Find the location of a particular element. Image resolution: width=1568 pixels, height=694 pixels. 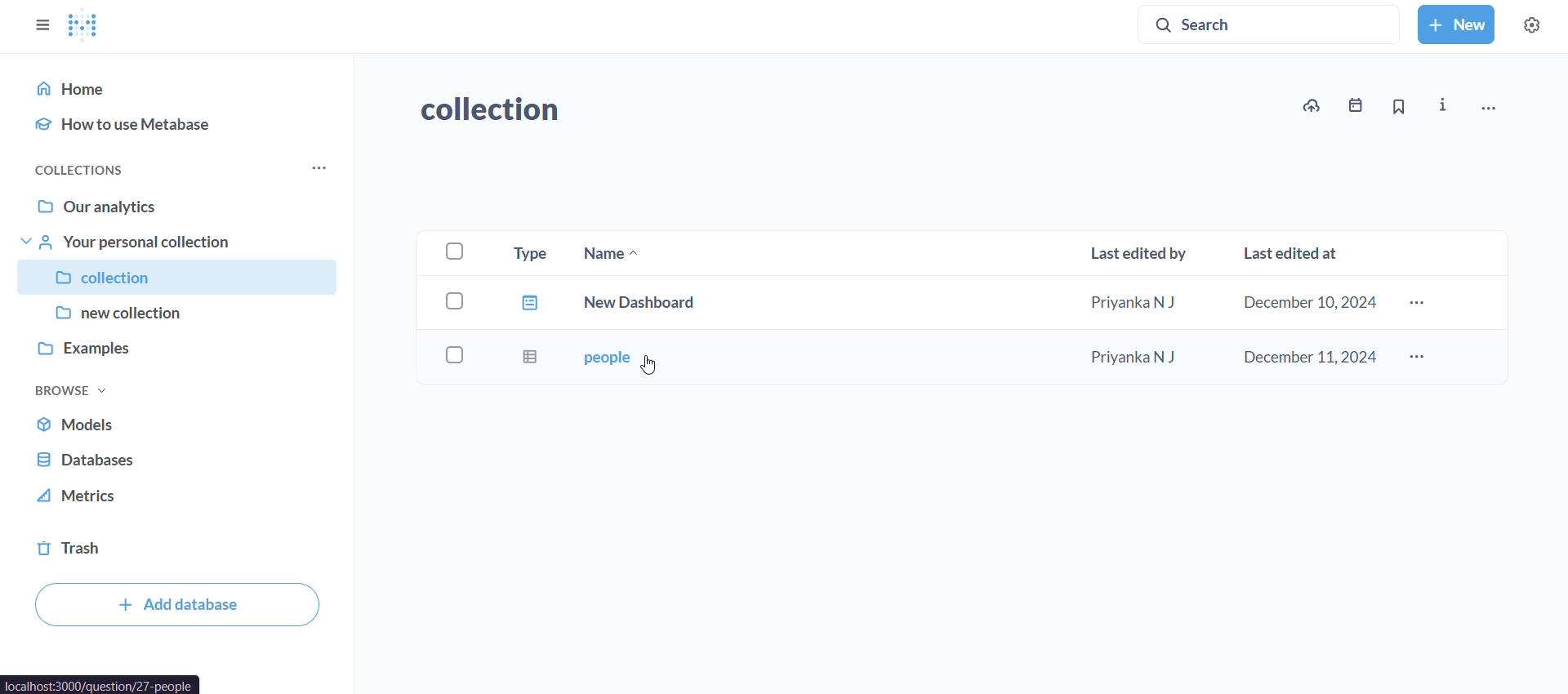

database is located at coordinates (178, 461).